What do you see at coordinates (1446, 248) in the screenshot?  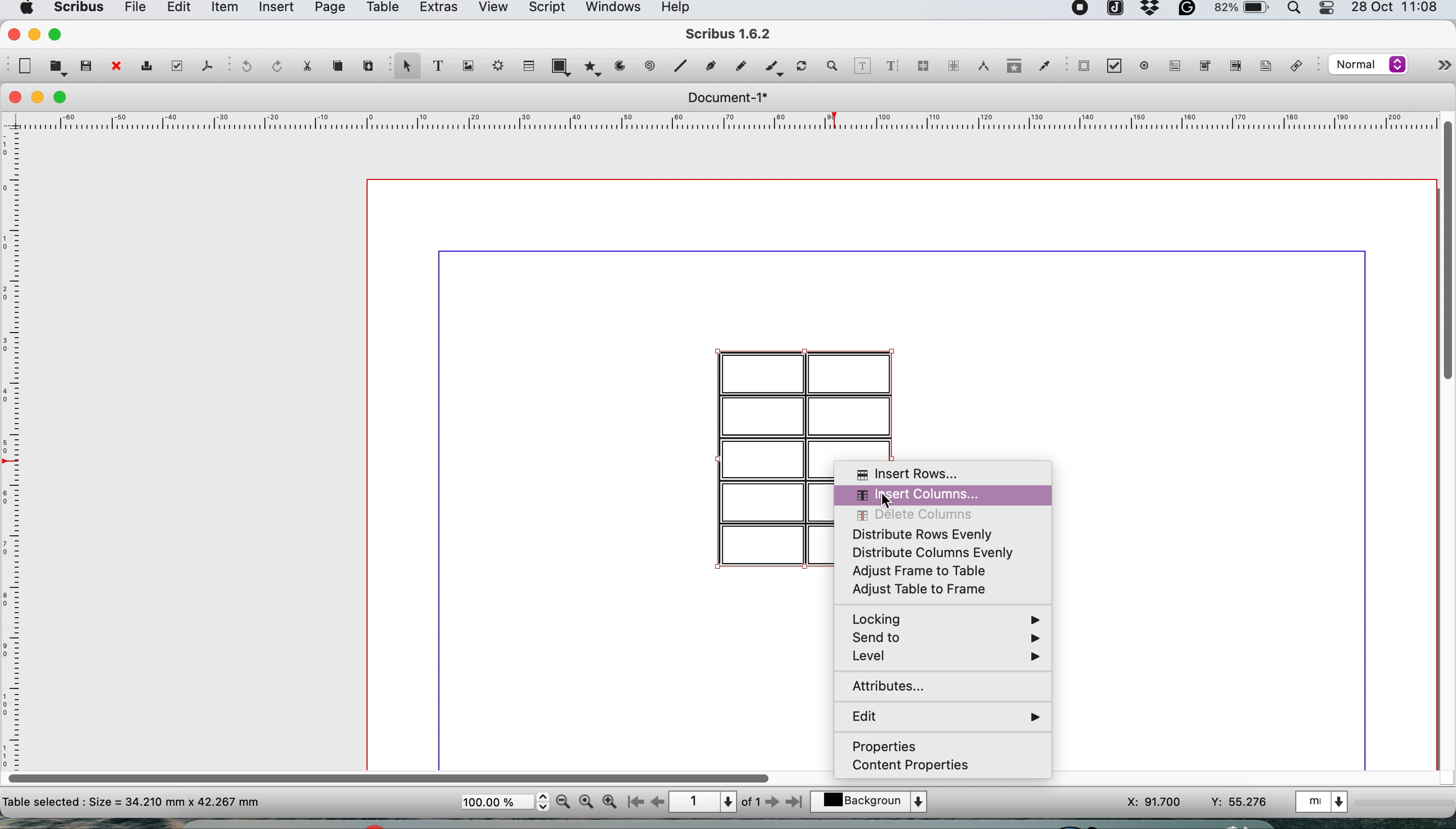 I see `vertical scroll bar` at bounding box center [1446, 248].